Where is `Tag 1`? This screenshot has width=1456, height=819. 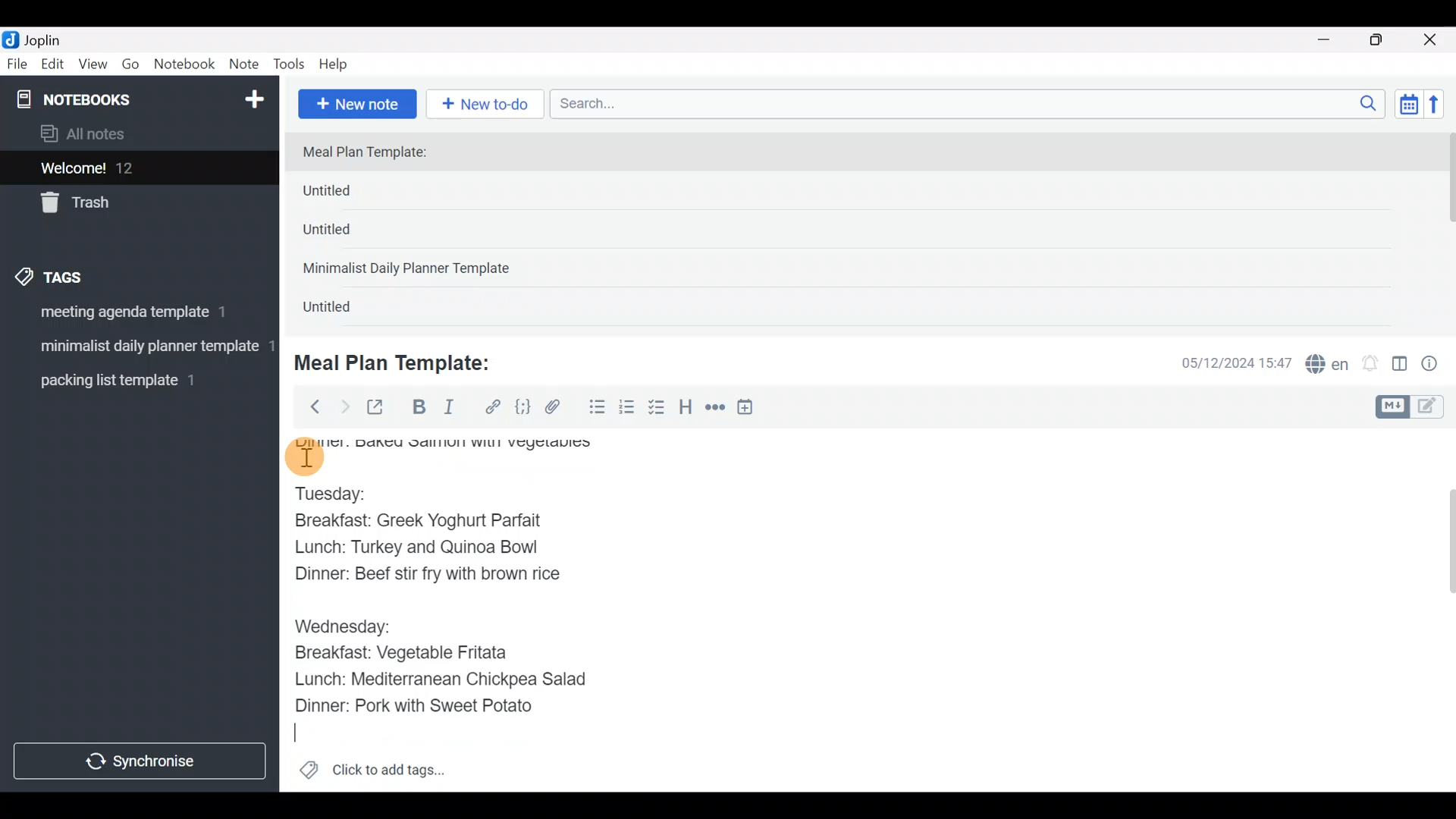
Tag 1 is located at coordinates (135, 316).